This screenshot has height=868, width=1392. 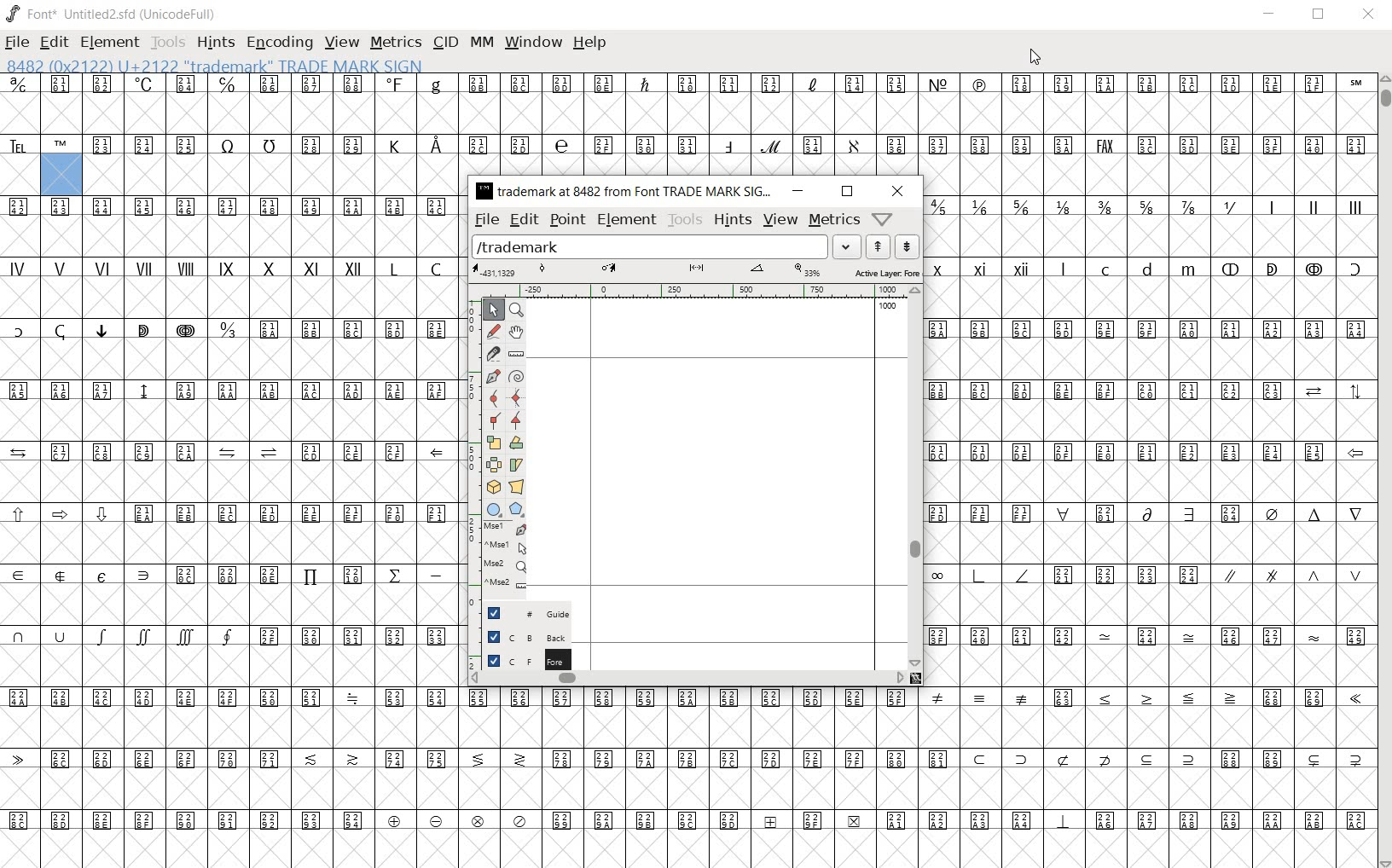 What do you see at coordinates (54, 42) in the screenshot?
I see `EDIT` at bounding box center [54, 42].